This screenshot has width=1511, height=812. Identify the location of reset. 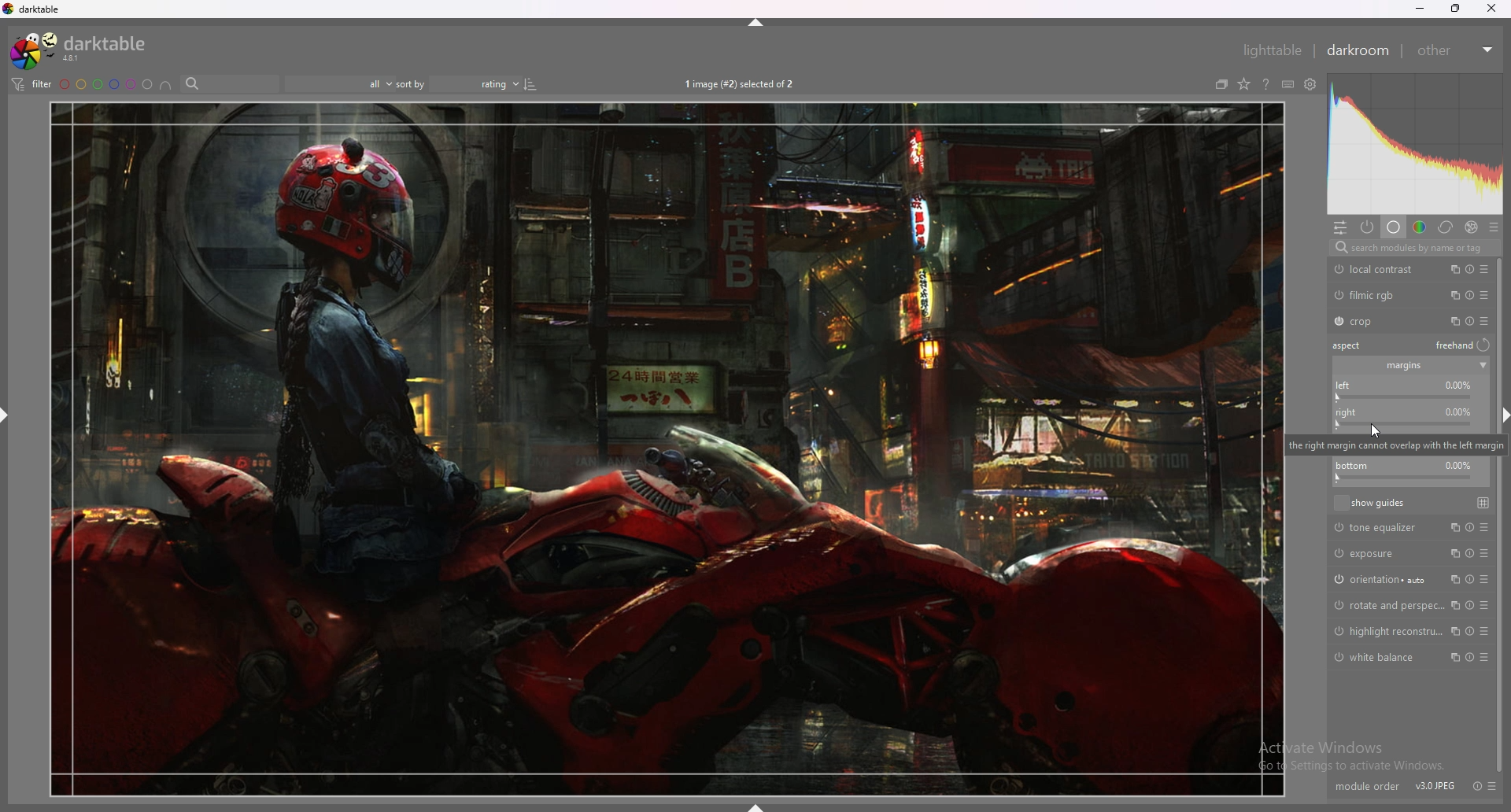
(1472, 295).